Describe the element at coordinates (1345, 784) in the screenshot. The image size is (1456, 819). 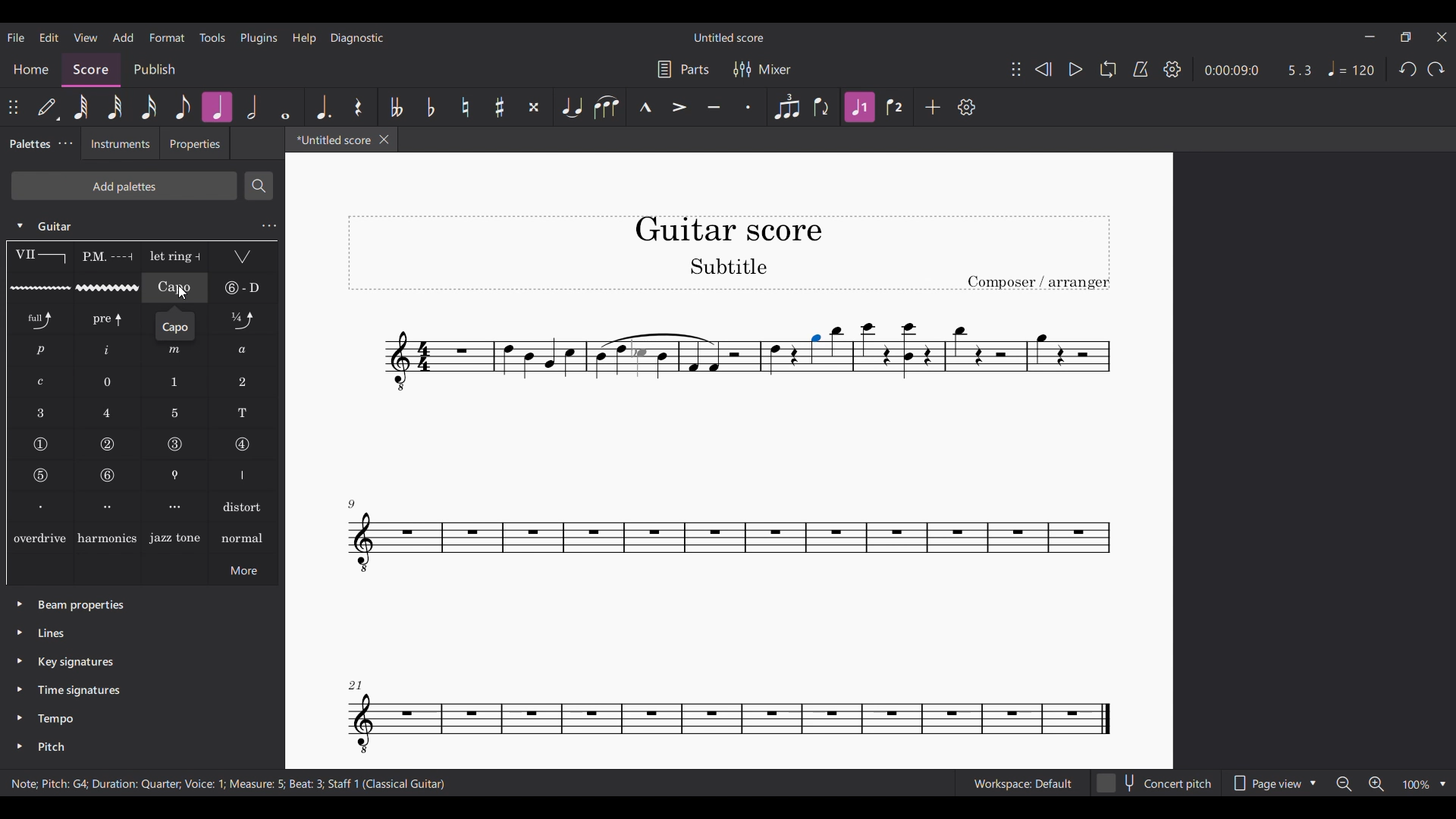
I see `Zoom out` at that location.